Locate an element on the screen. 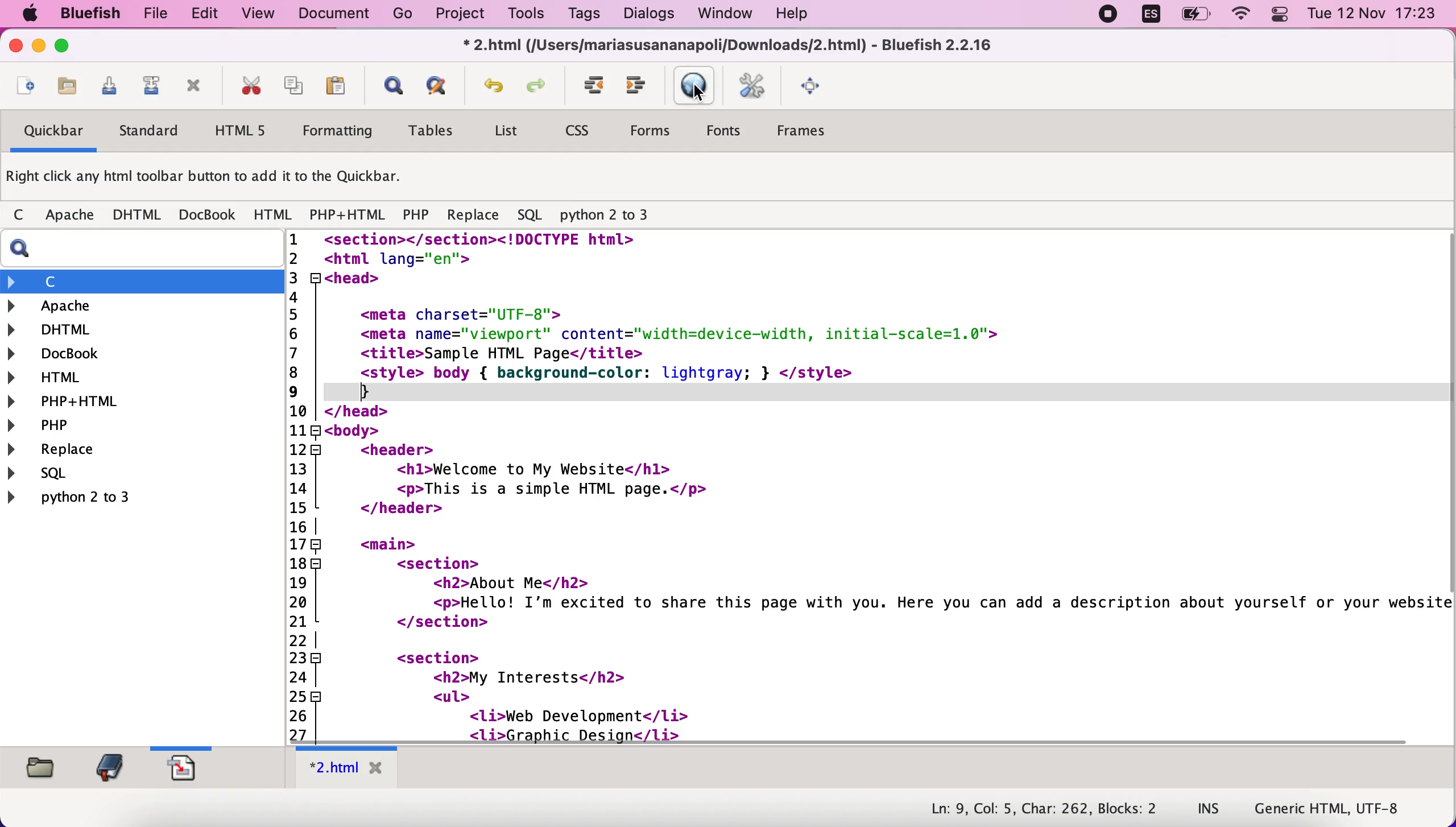 This screenshot has width=1456, height=827. cut is located at coordinates (253, 86).